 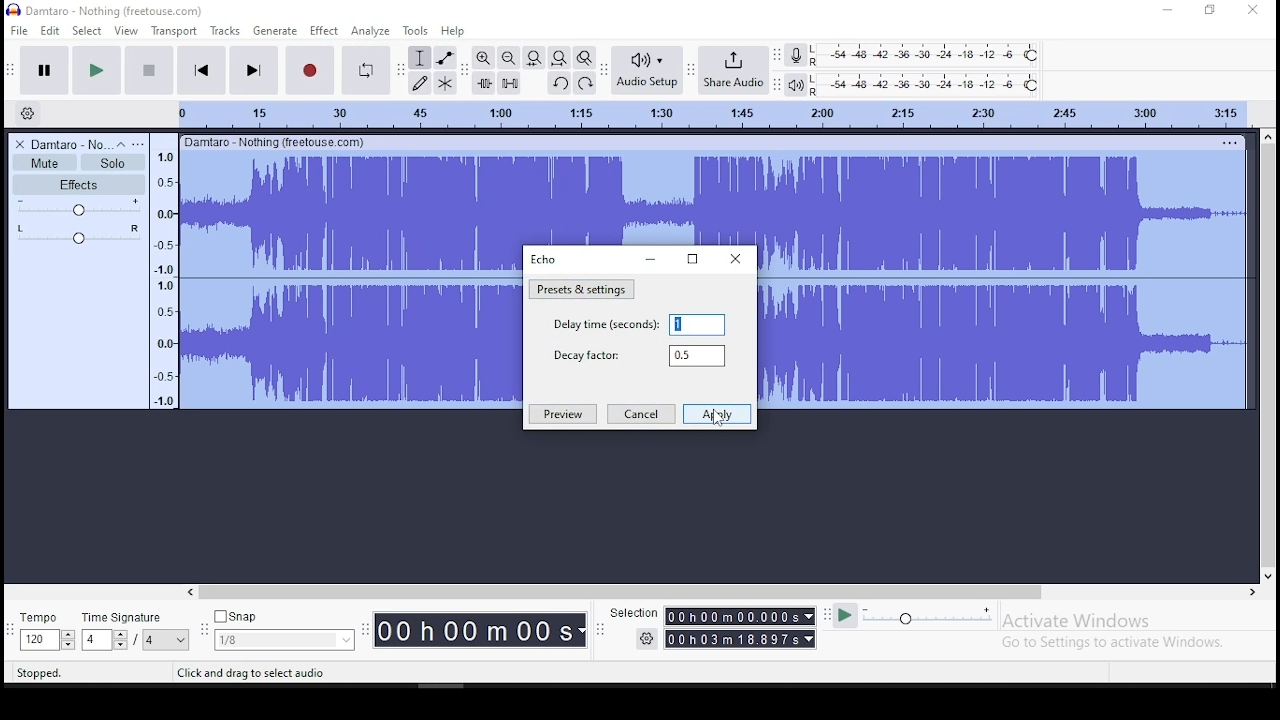 What do you see at coordinates (201, 629) in the screenshot?
I see `` at bounding box center [201, 629].